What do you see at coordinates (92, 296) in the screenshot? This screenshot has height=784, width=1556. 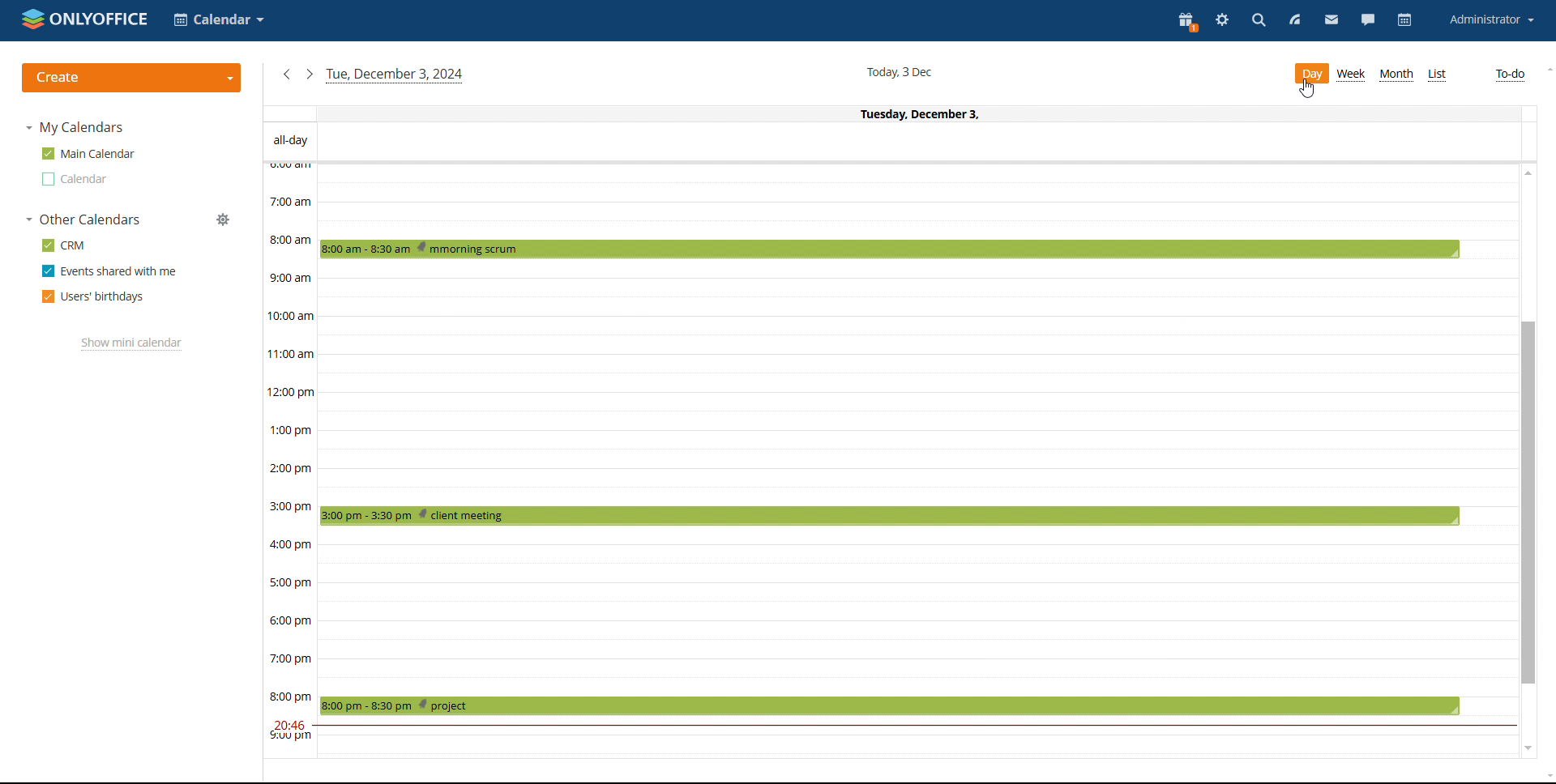 I see `users' birthdays` at bounding box center [92, 296].